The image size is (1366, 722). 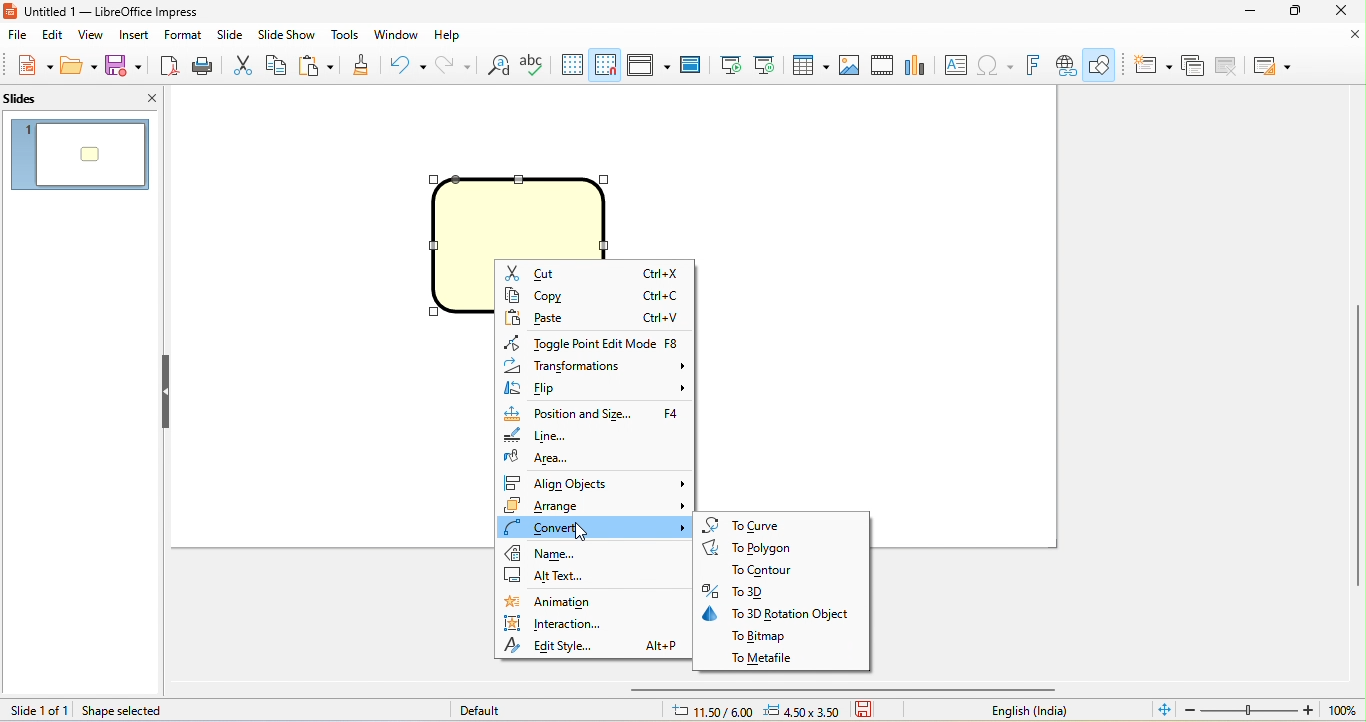 What do you see at coordinates (42, 100) in the screenshot?
I see `slides` at bounding box center [42, 100].